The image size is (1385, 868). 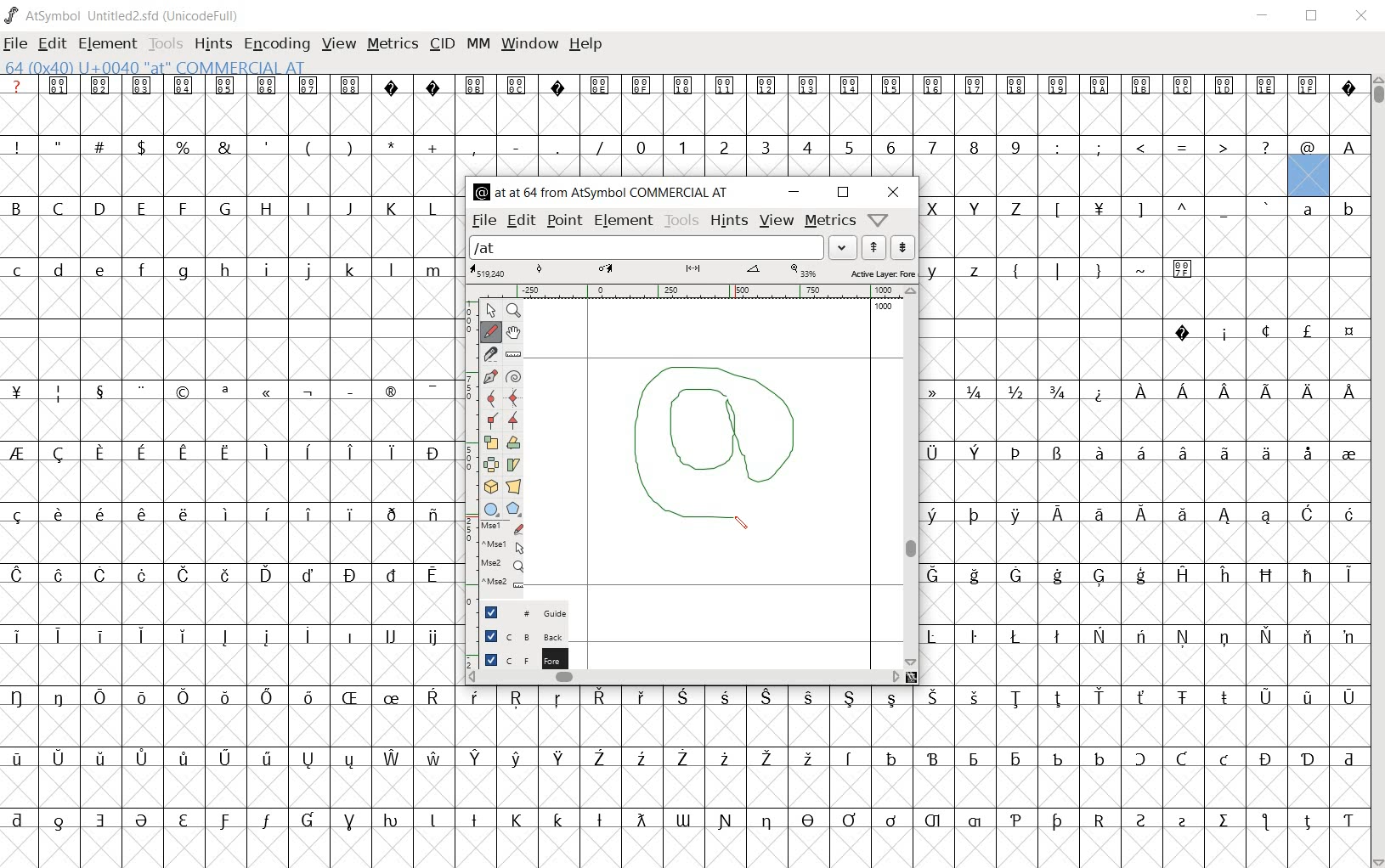 I want to click on show the previous wordlist, so click(x=877, y=248).